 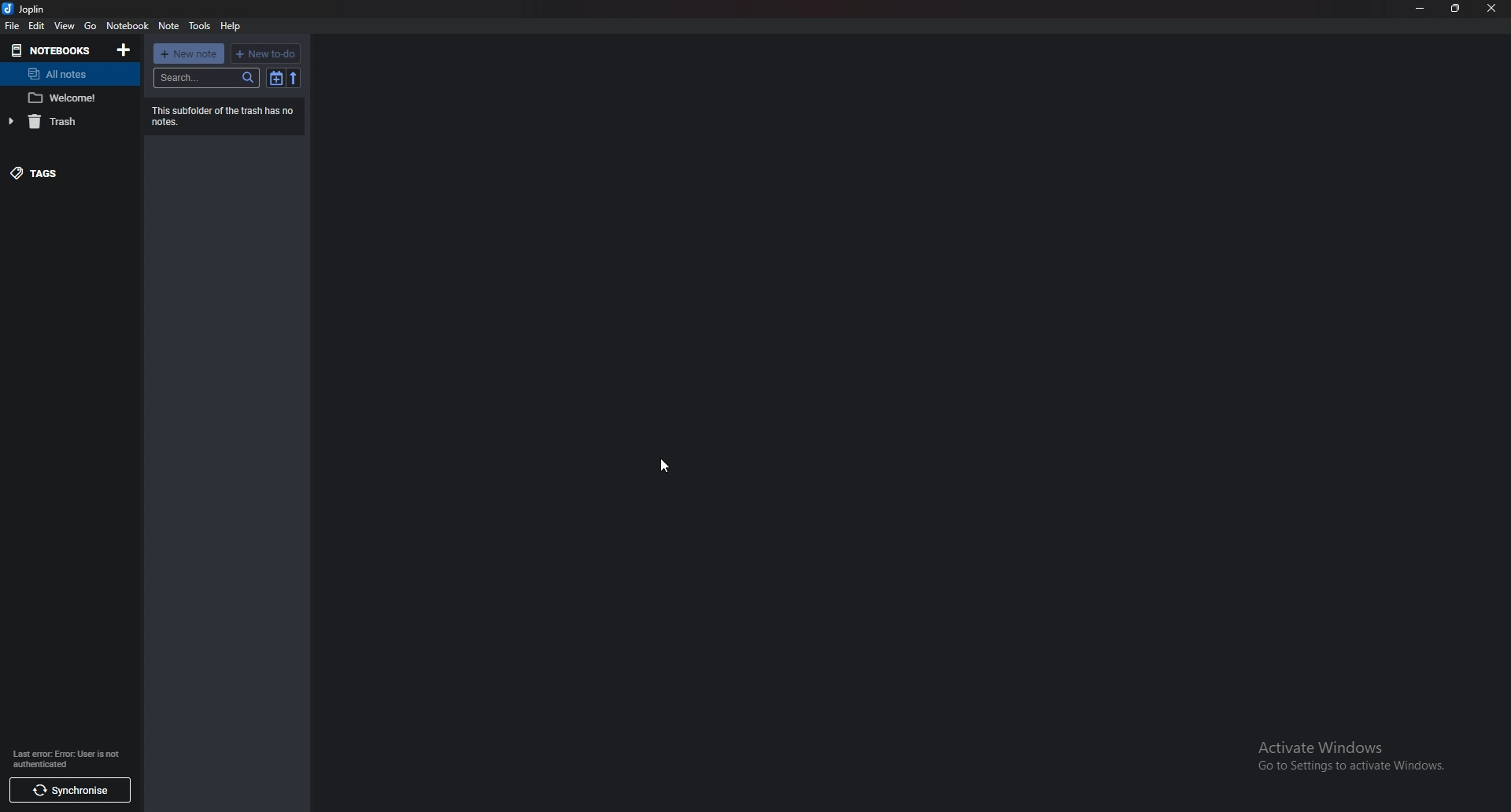 What do you see at coordinates (663, 466) in the screenshot?
I see `pointer` at bounding box center [663, 466].